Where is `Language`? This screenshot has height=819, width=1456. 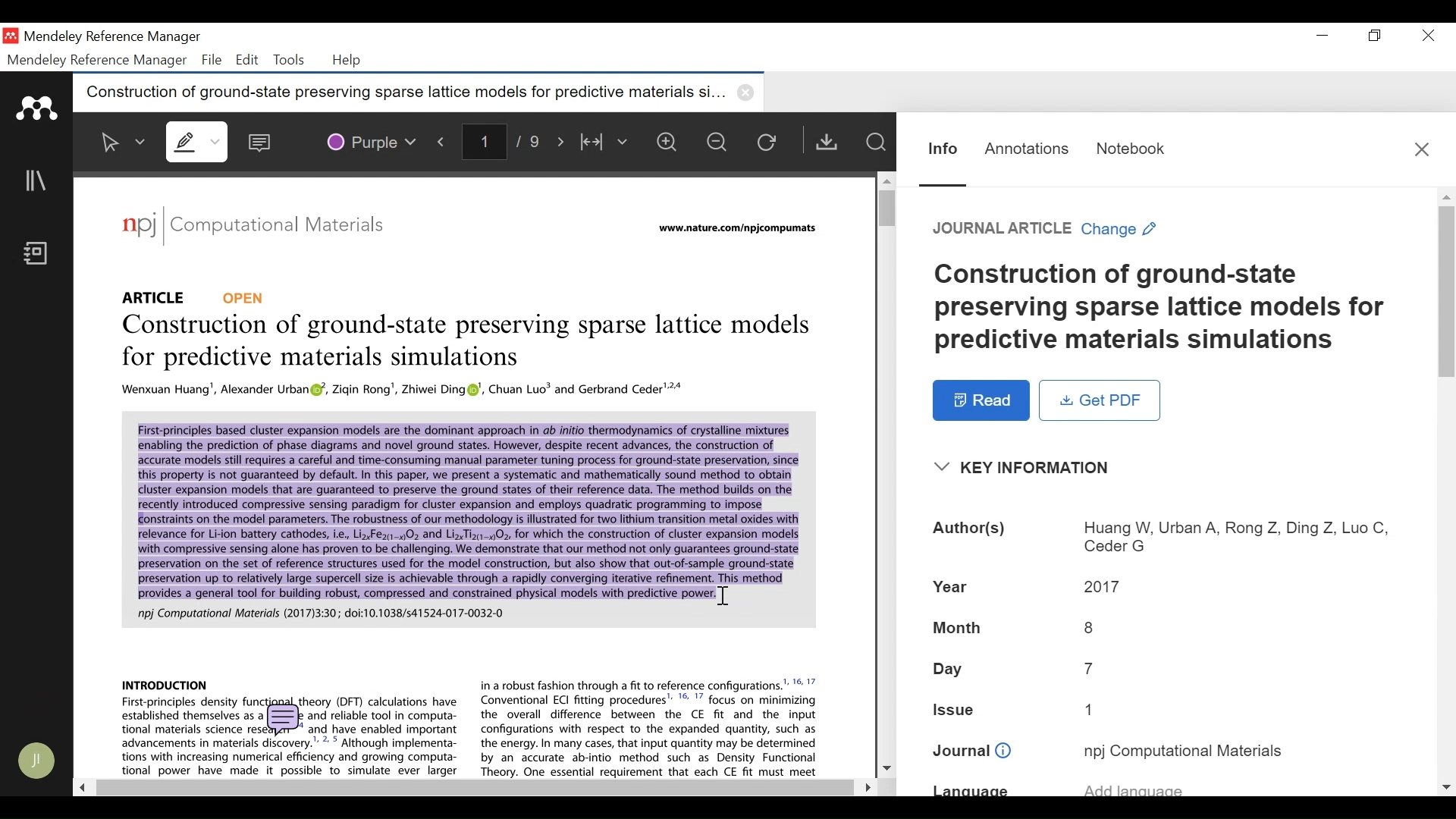
Language is located at coordinates (1134, 786).